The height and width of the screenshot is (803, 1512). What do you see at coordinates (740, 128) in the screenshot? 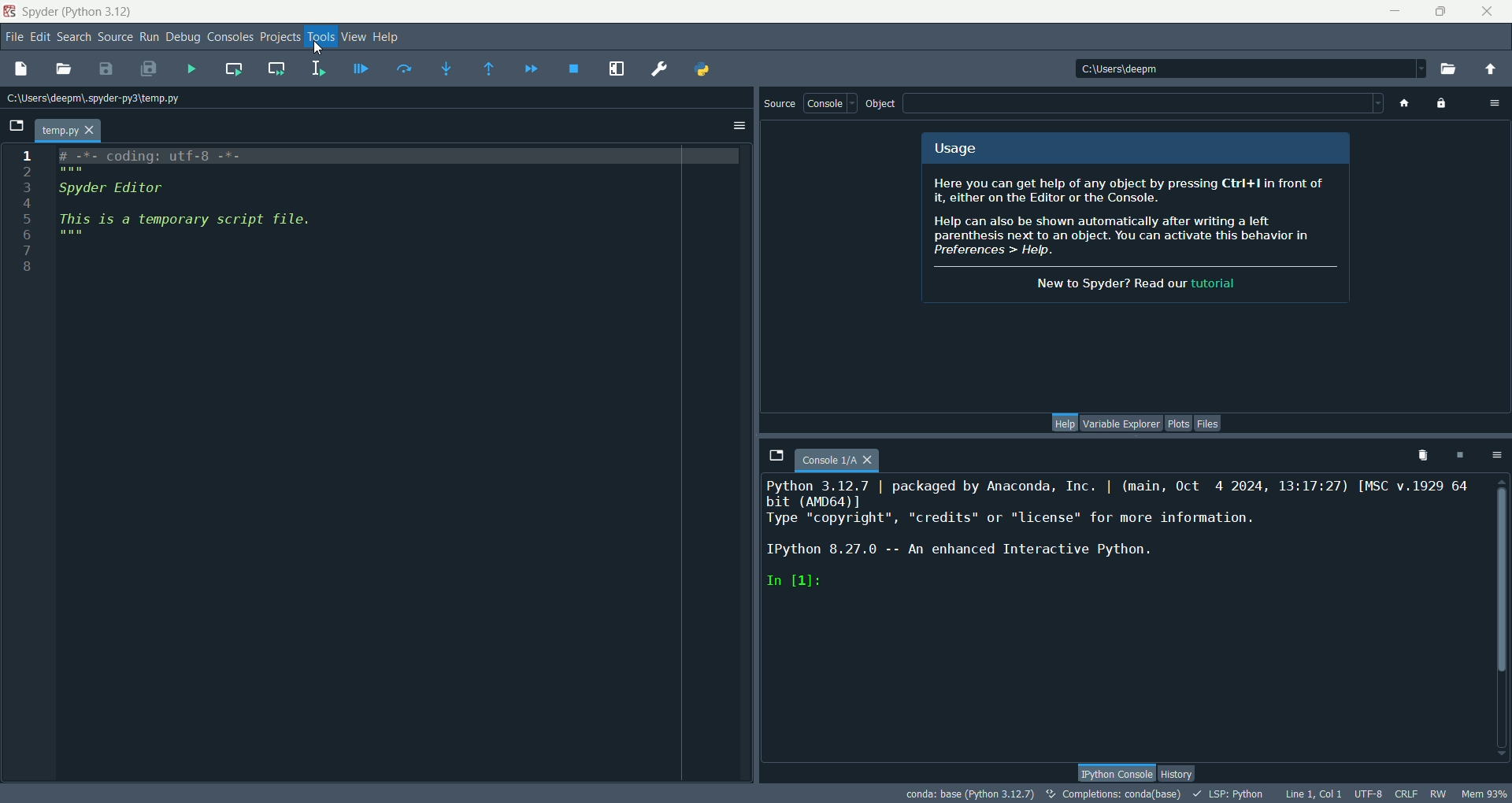
I see `options` at bounding box center [740, 128].